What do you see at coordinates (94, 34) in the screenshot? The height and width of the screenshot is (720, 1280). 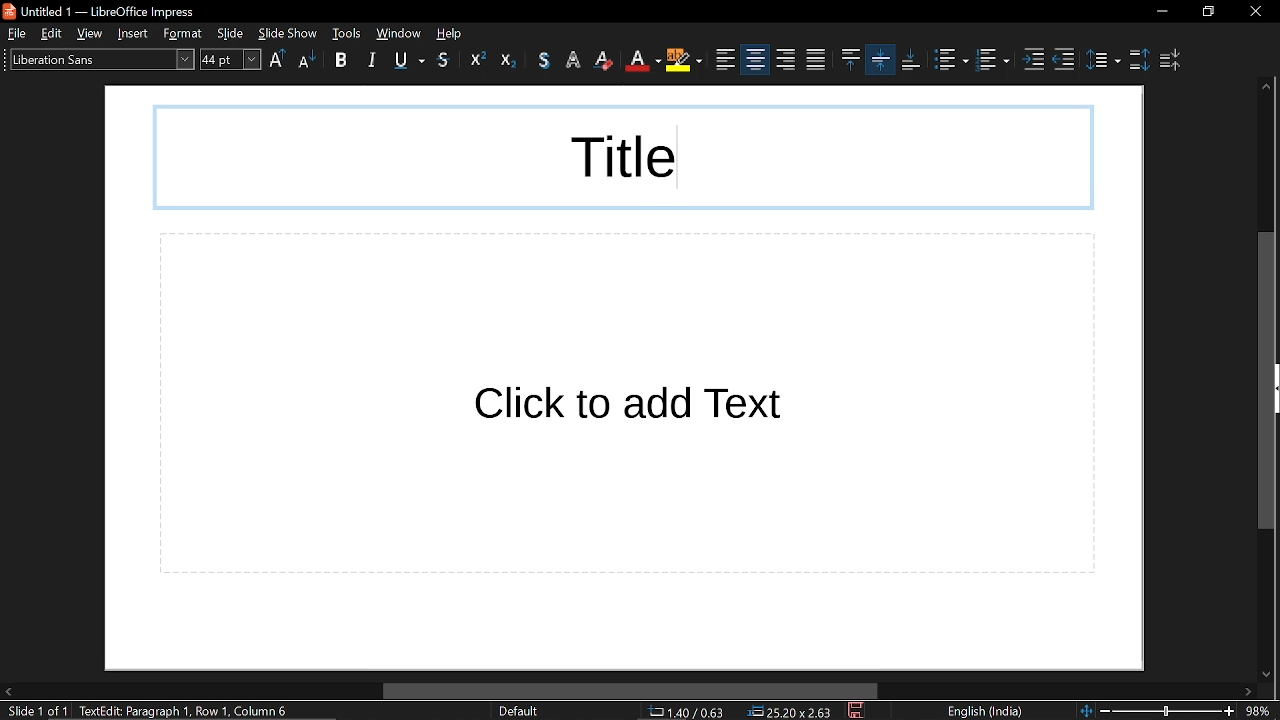 I see `view` at bounding box center [94, 34].